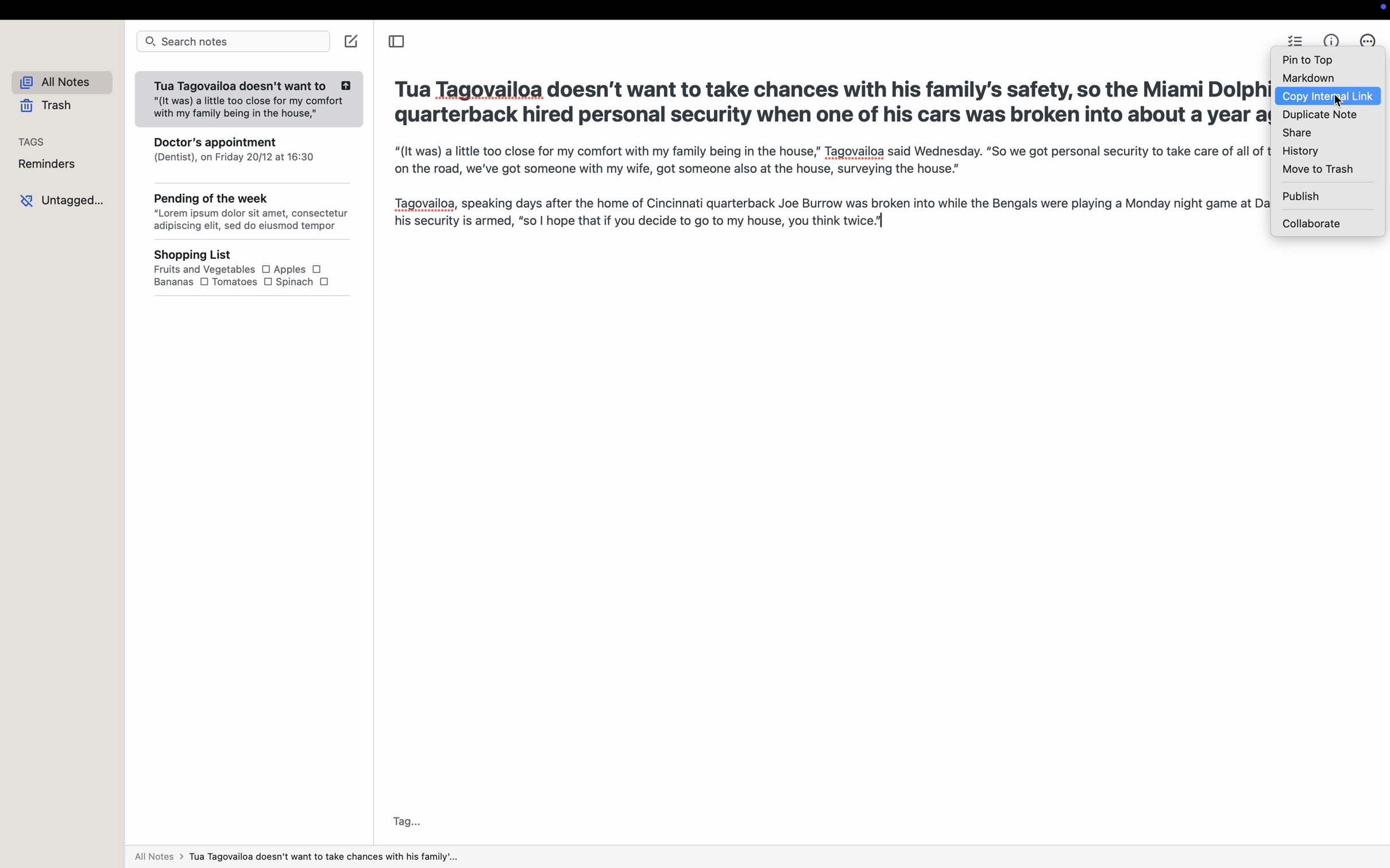 This screenshot has width=1390, height=868. I want to click on tags, so click(27, 141).